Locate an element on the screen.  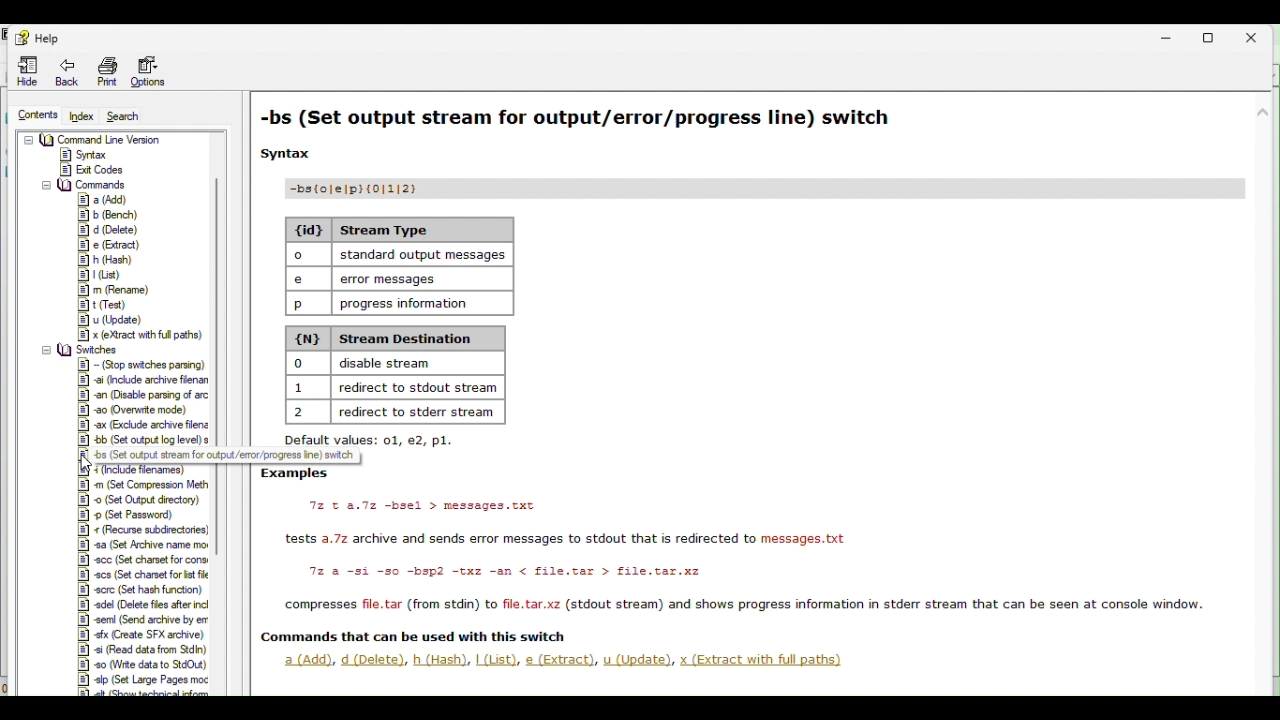
Restore is located at coordinates (1215, 35).